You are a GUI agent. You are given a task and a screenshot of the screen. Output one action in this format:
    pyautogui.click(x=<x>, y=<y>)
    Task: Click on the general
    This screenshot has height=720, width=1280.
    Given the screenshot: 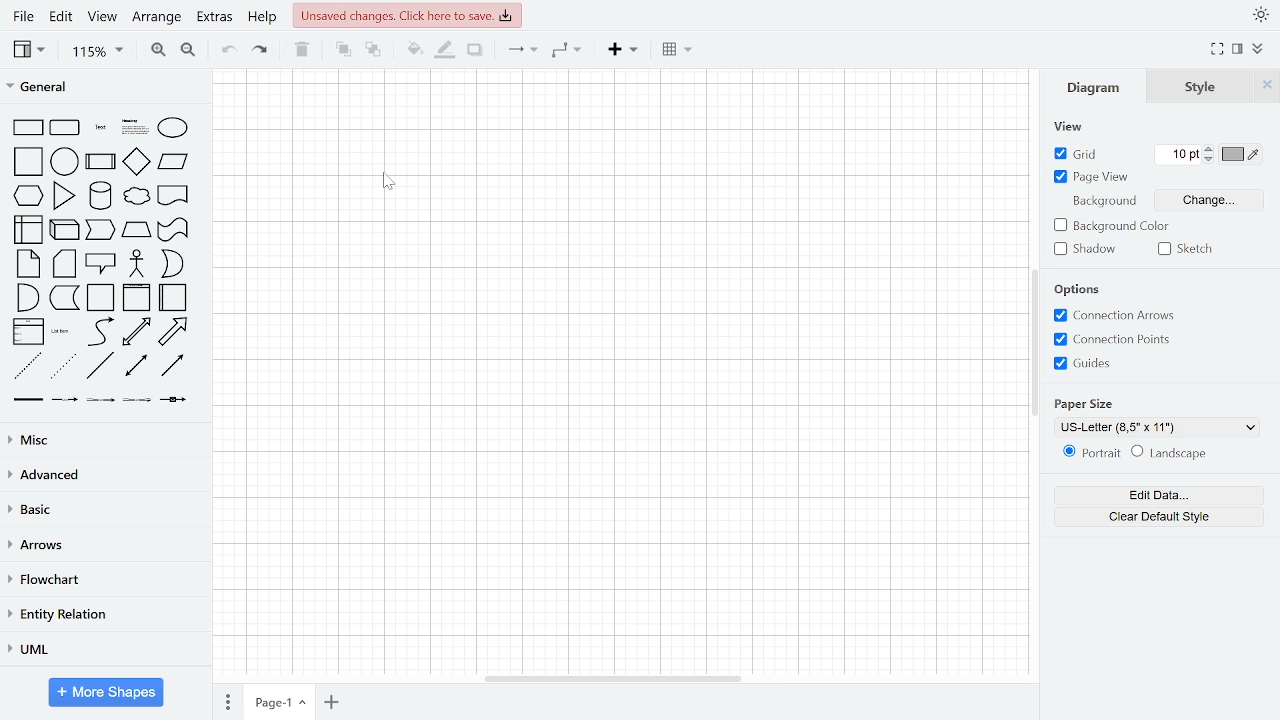 What is the action you would take?
    pyautogui.click(x=102, y=85)
    